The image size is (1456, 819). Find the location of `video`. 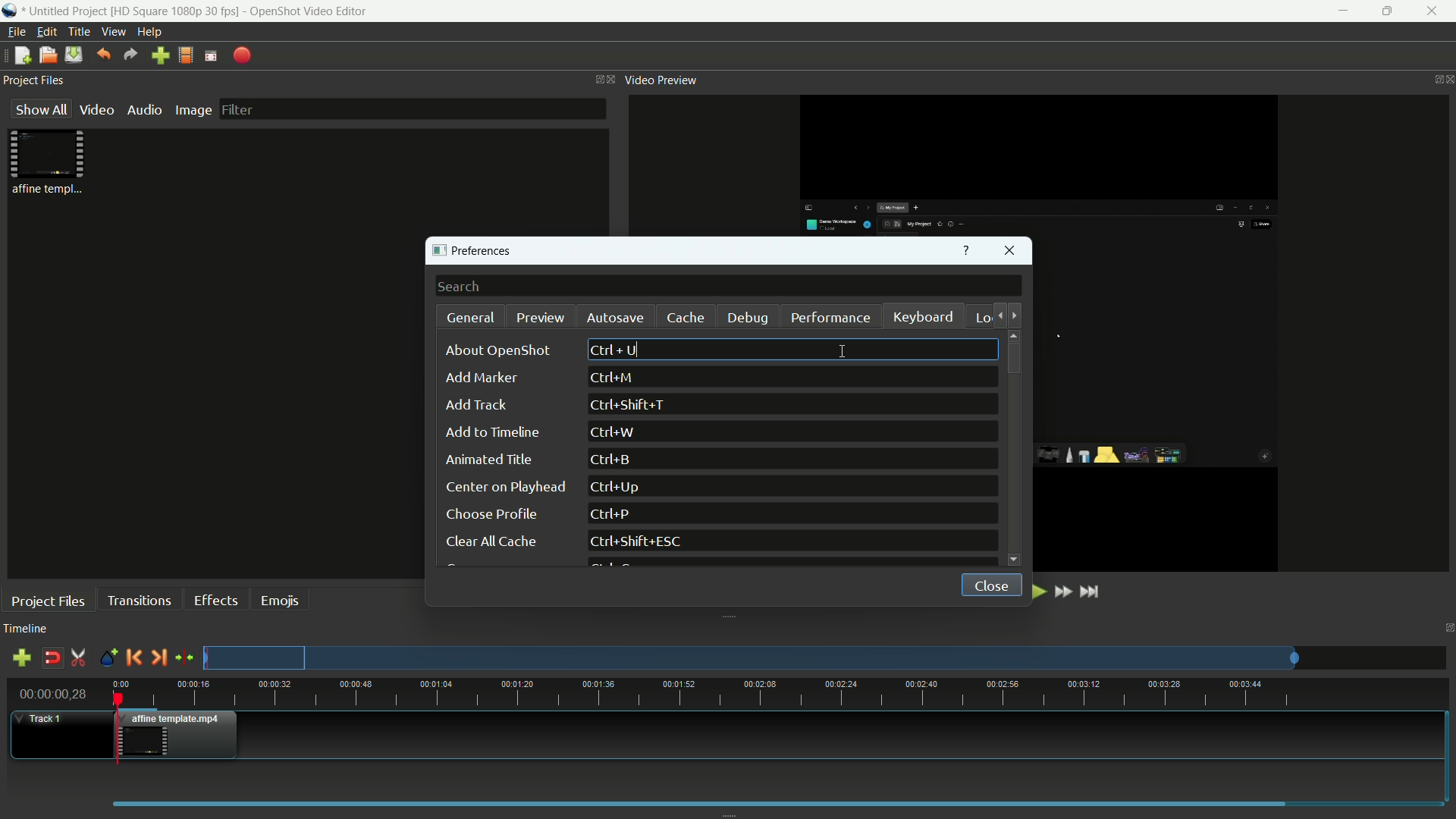

video is located at coordinates (96, 110).